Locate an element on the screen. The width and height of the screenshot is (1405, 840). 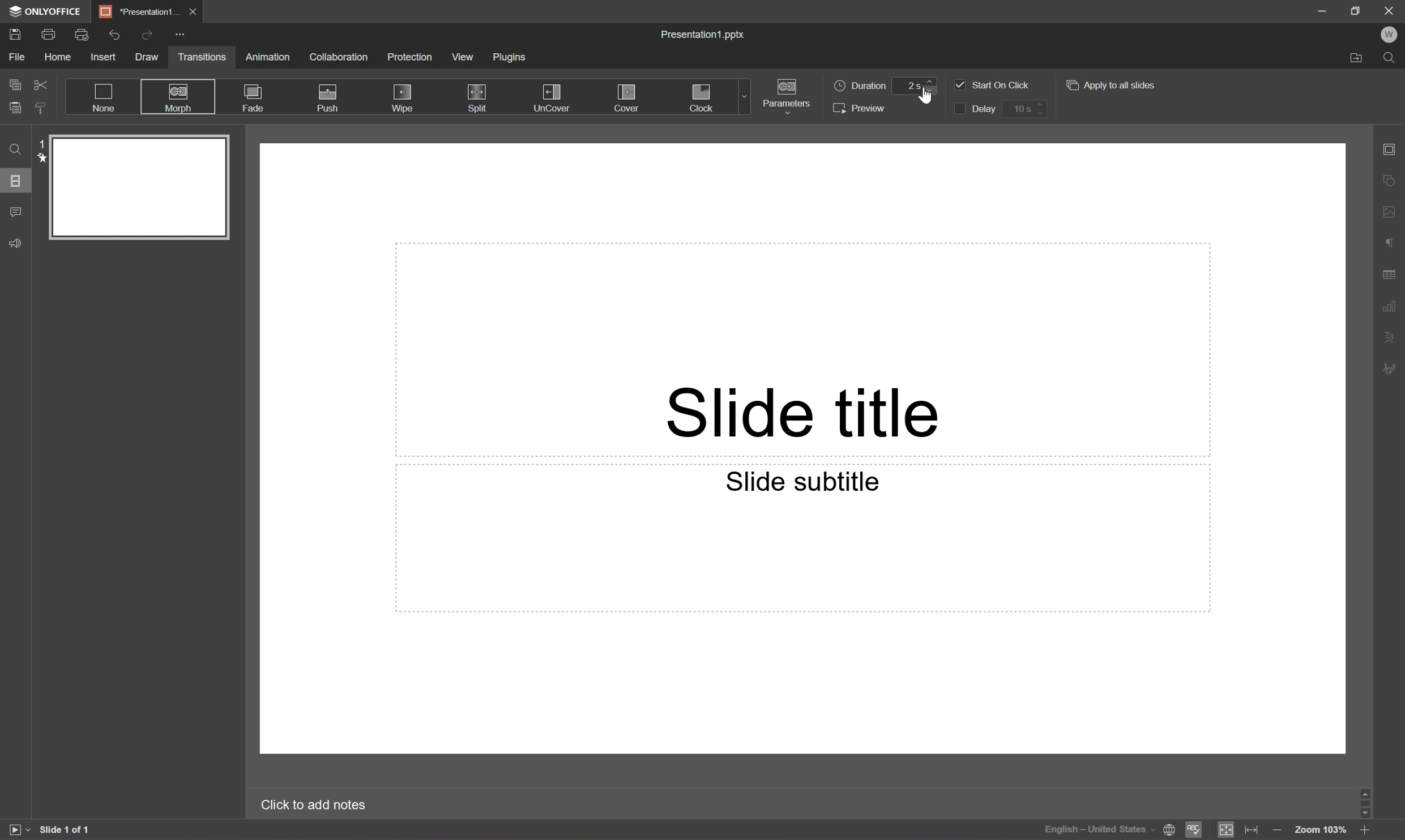
Customize quick access toolbar is located at coordinates (180, 32).